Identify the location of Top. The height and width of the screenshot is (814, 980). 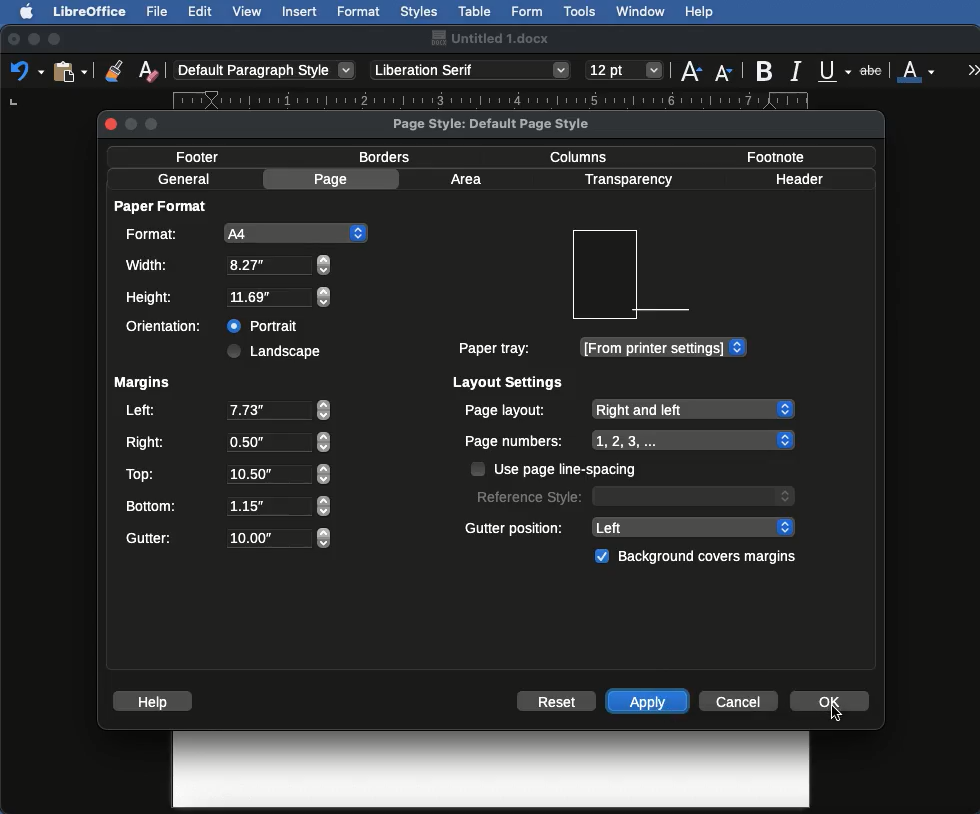
(225, 474).